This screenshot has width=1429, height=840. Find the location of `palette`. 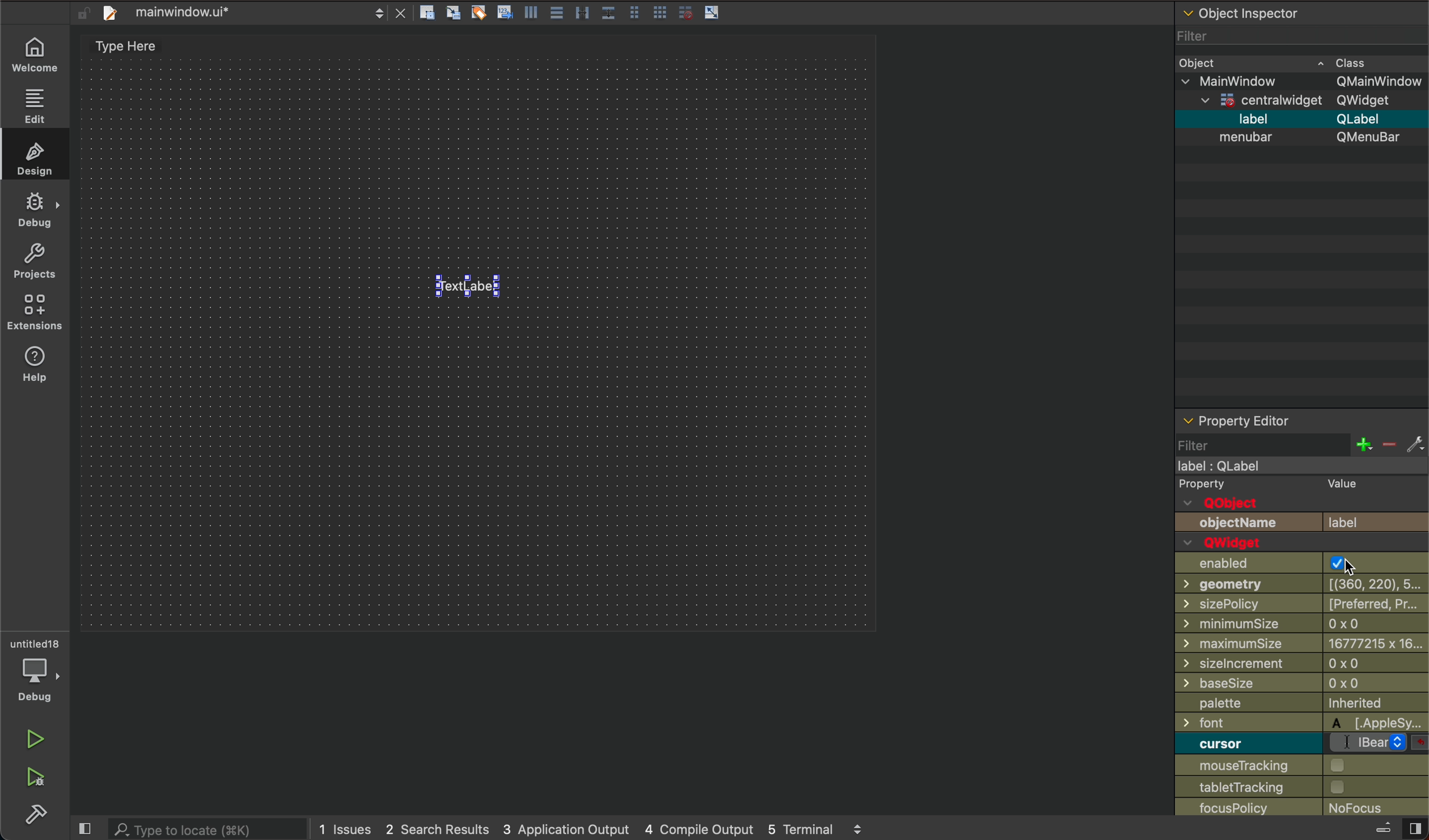

palette is located at coordinates (1231, 703).